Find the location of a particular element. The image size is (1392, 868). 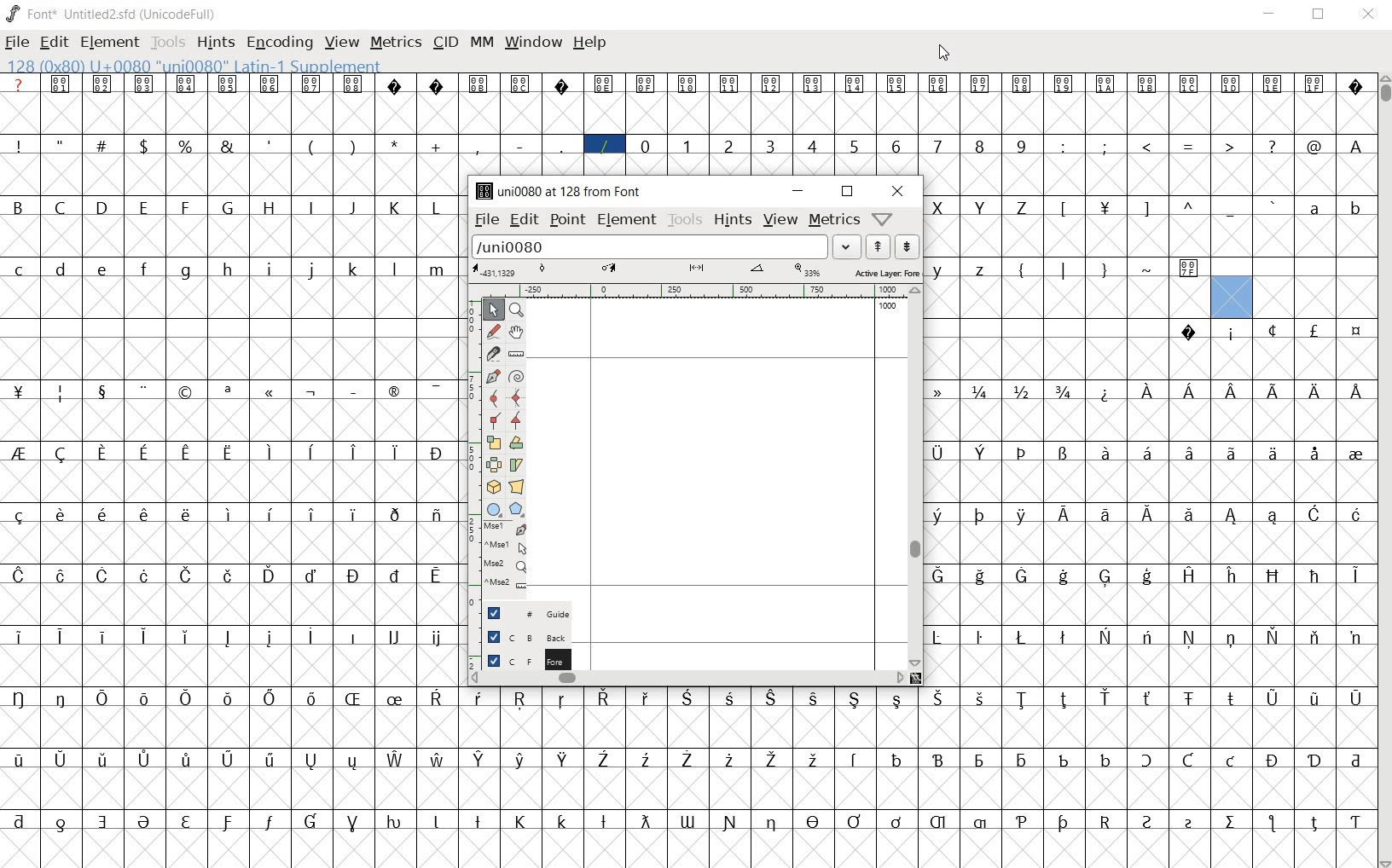

glyph is located at coordinates (478, 698).